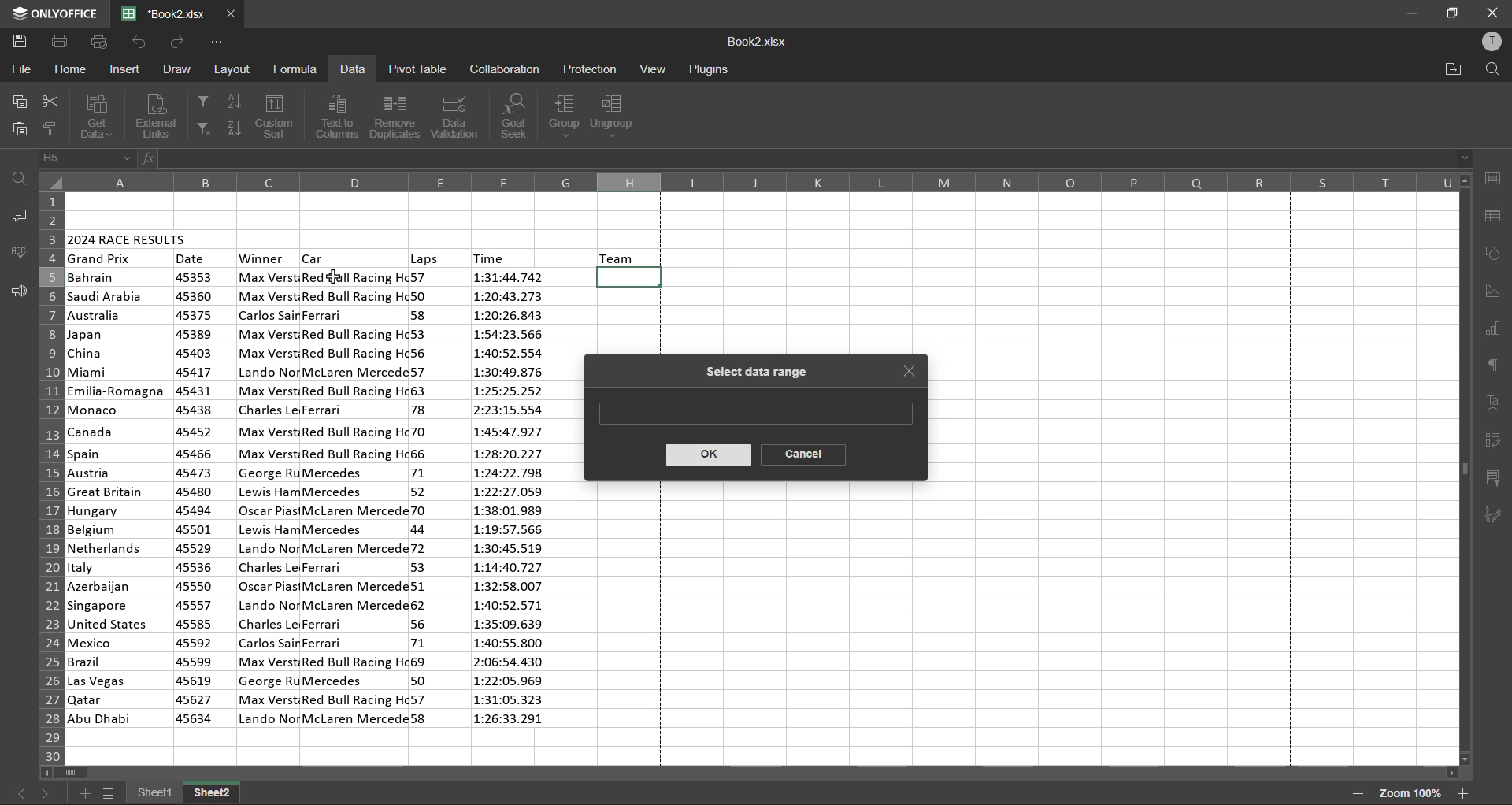 This screenshot has height=805, width=1512. I want to click on custom sort, so click(278, 117).